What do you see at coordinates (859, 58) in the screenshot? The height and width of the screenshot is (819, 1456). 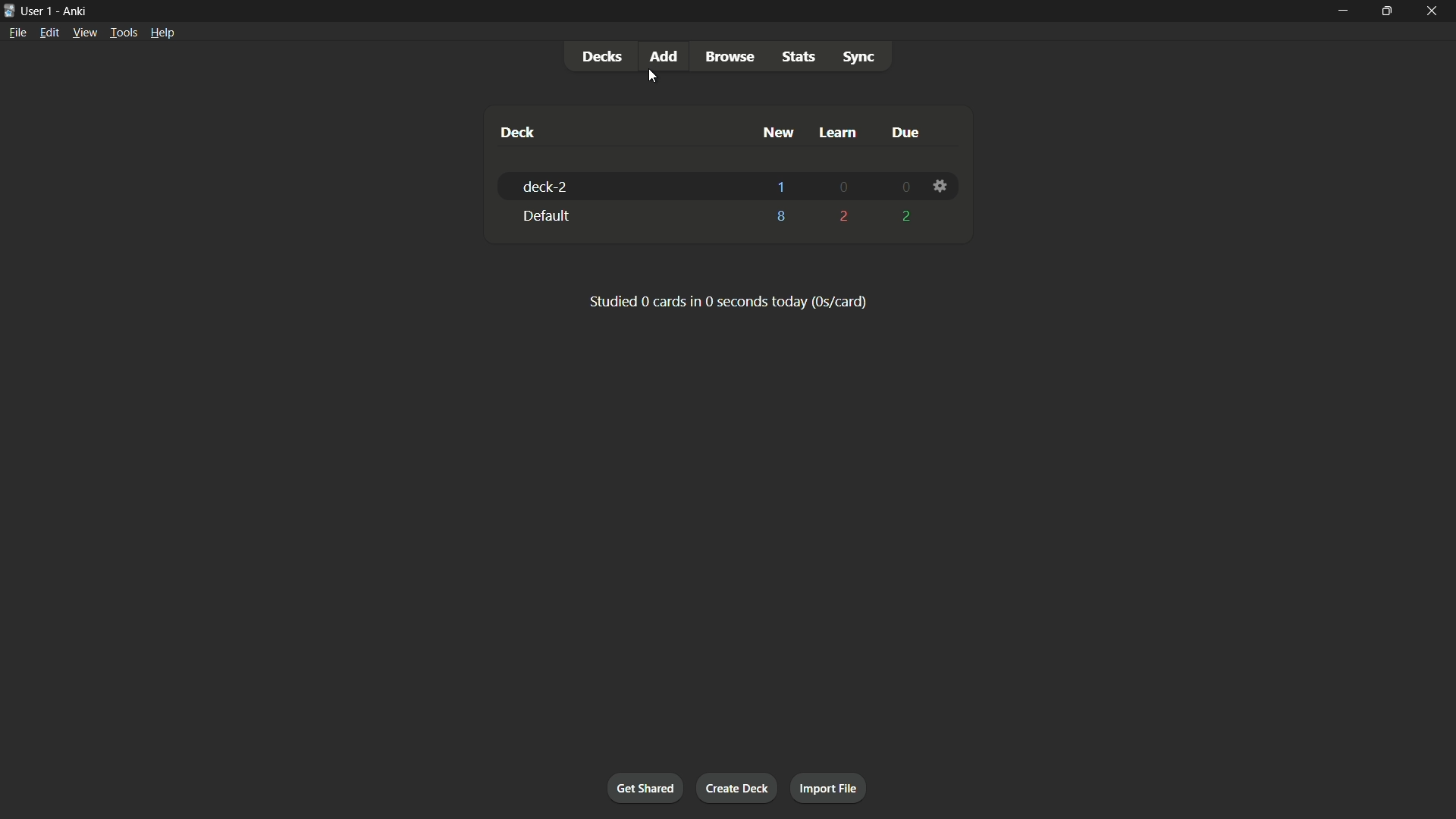 I see `sync` at bounding box center [859, 58].